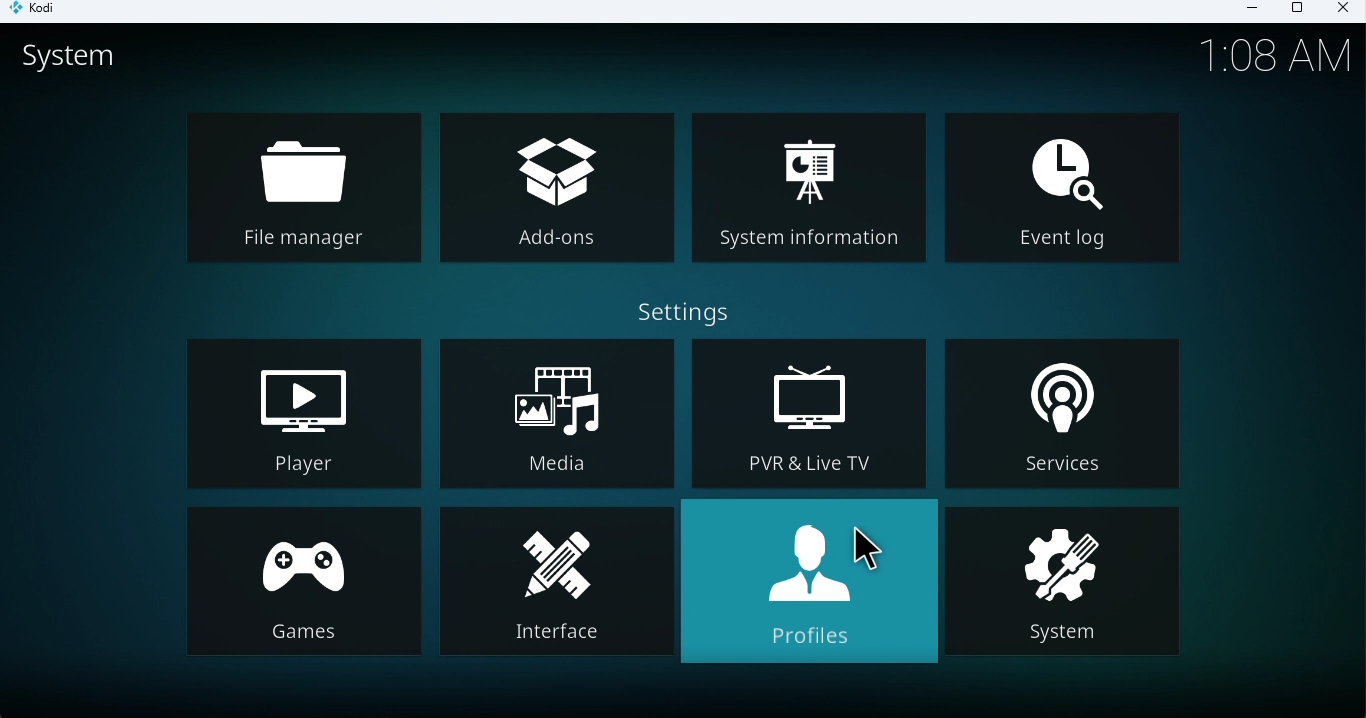 The image size is (1366, 718). Describe the element at coordinates (1277, 53) in the screenshot. I see `1.07 Am` at that location.